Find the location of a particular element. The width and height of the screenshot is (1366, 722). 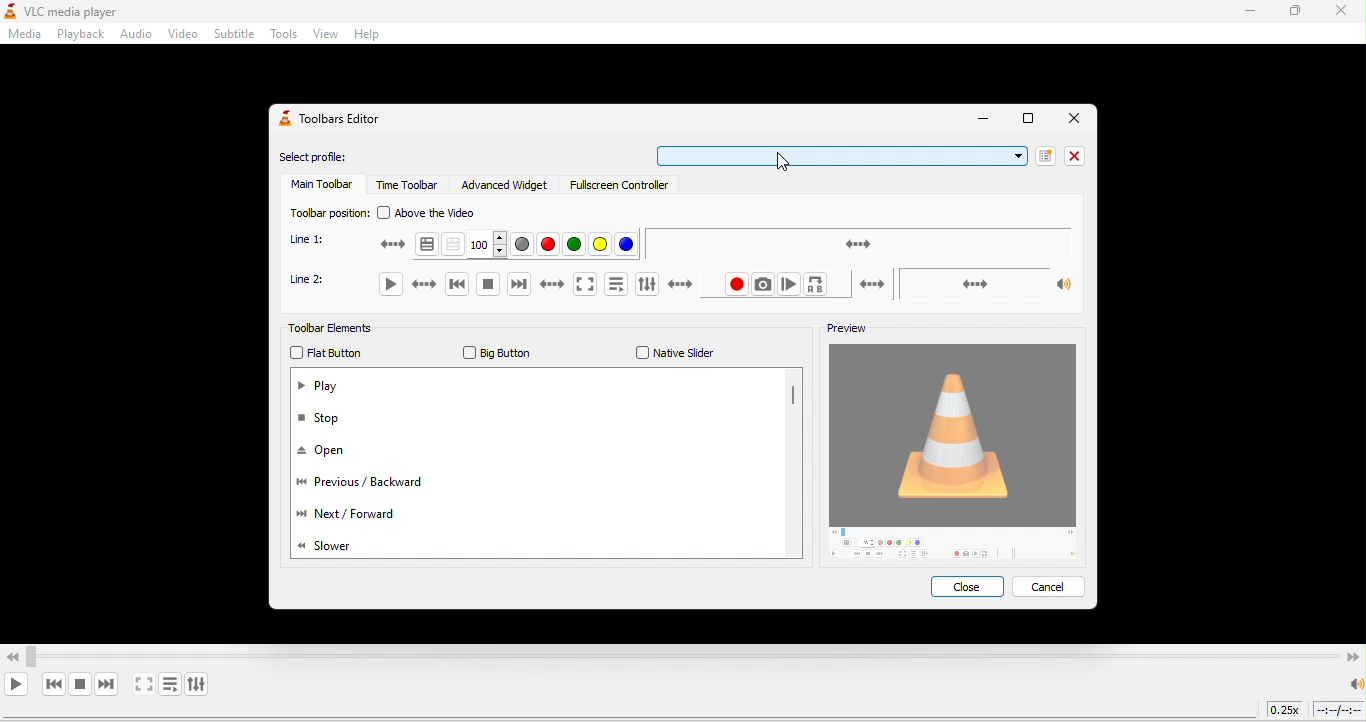

teletext activation is located at coordinates (403, 246).